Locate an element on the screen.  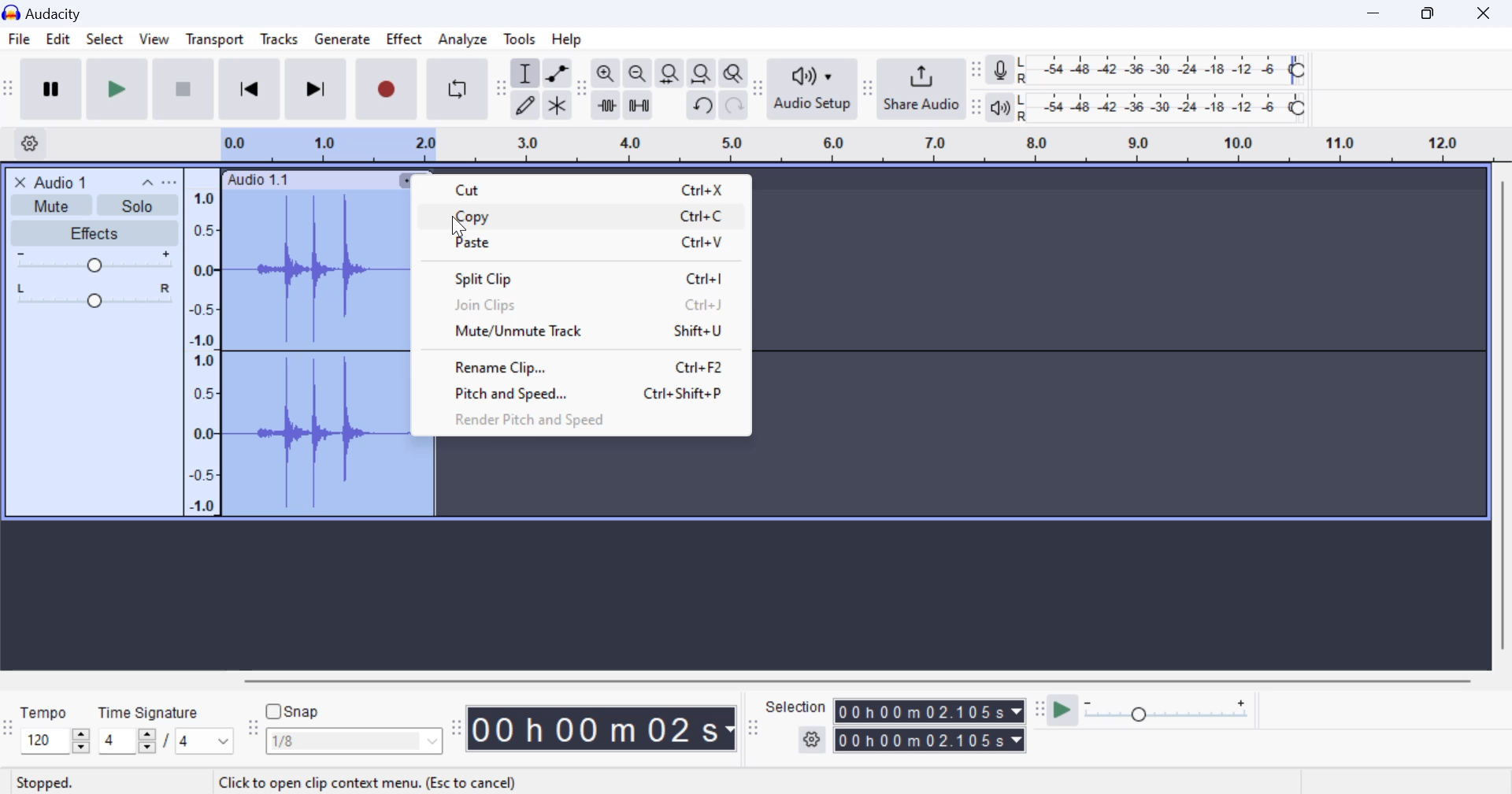
zoom toggle is located at coordinates (735, 75).